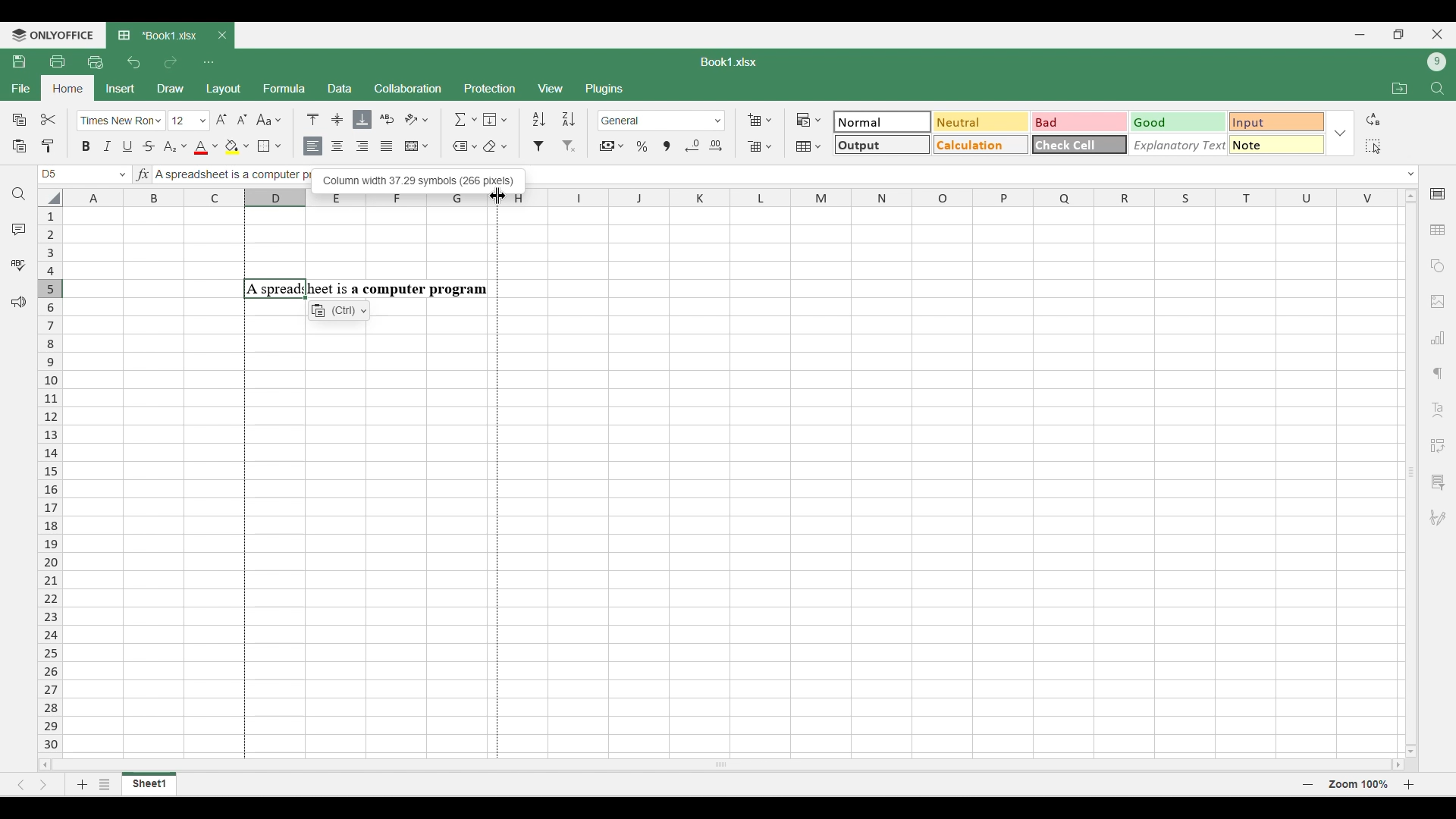 This screenshot has height=819, width=1456. What do you see at coordinates (1437, 34) in the screenshot?
I see `Close interface` at bounding box center [1437, 34].